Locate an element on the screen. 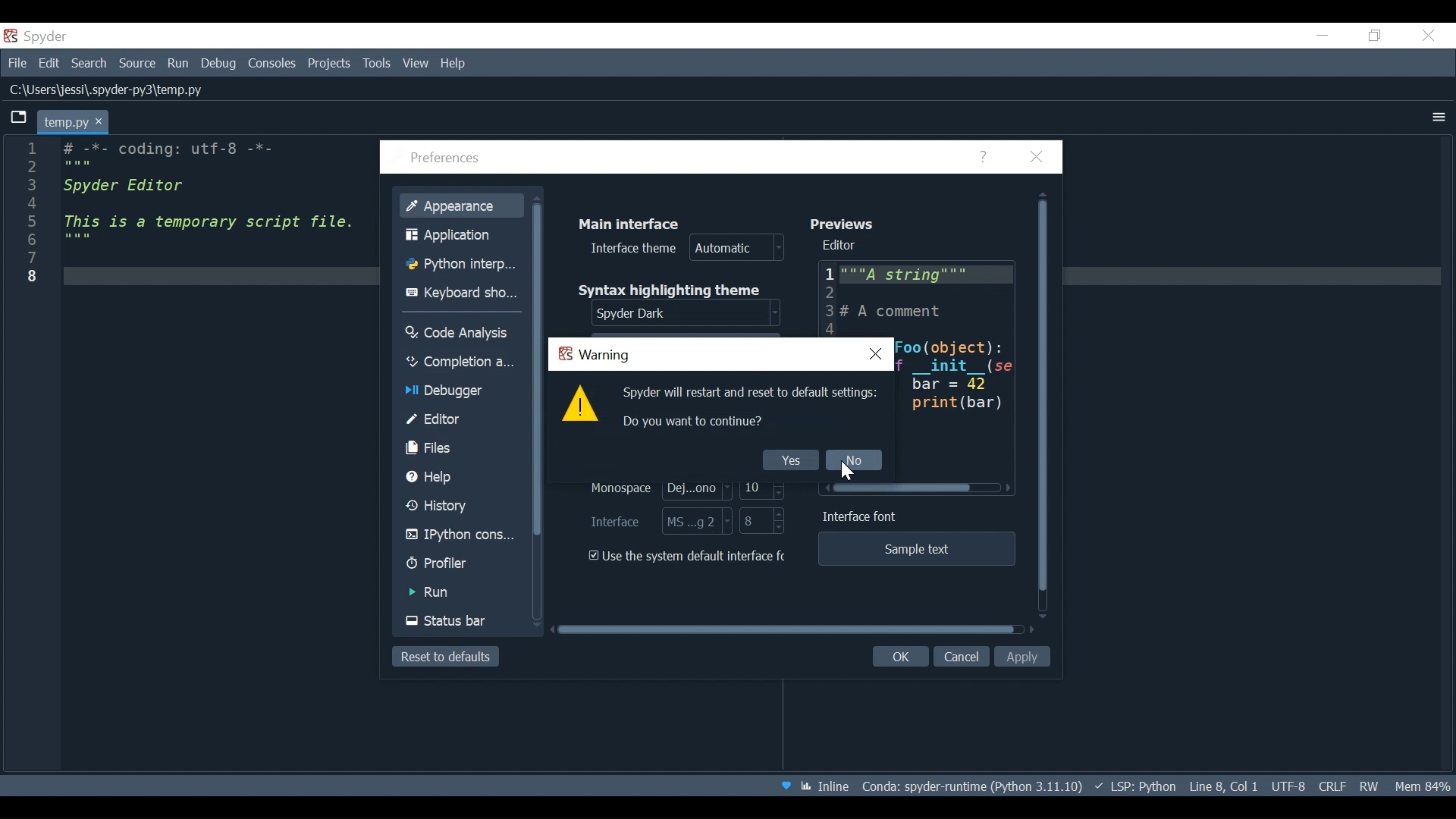  Close is located at coordinates (1429, 34).